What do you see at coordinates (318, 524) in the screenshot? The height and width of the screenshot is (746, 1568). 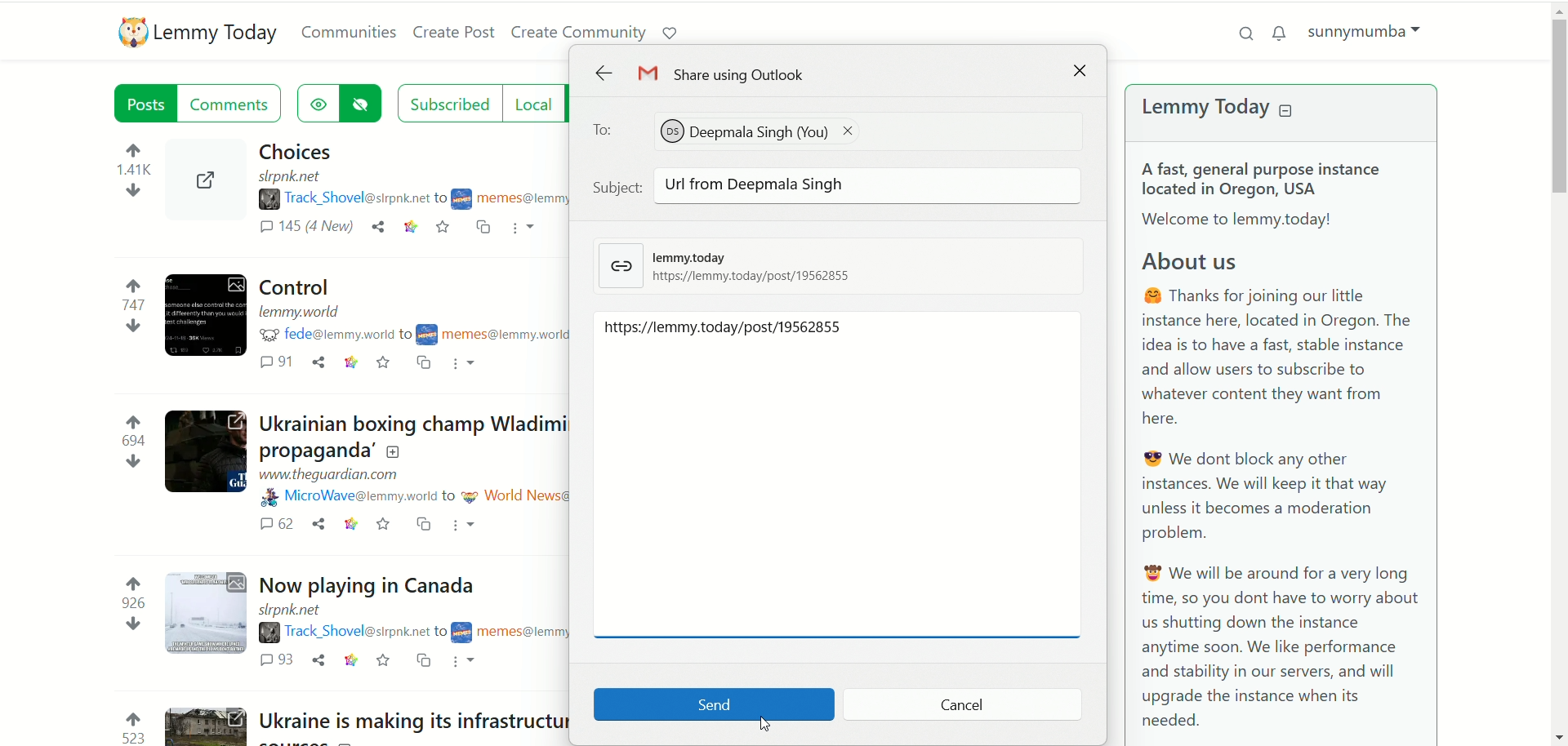 I see `share` at bounding box center [318, 524].